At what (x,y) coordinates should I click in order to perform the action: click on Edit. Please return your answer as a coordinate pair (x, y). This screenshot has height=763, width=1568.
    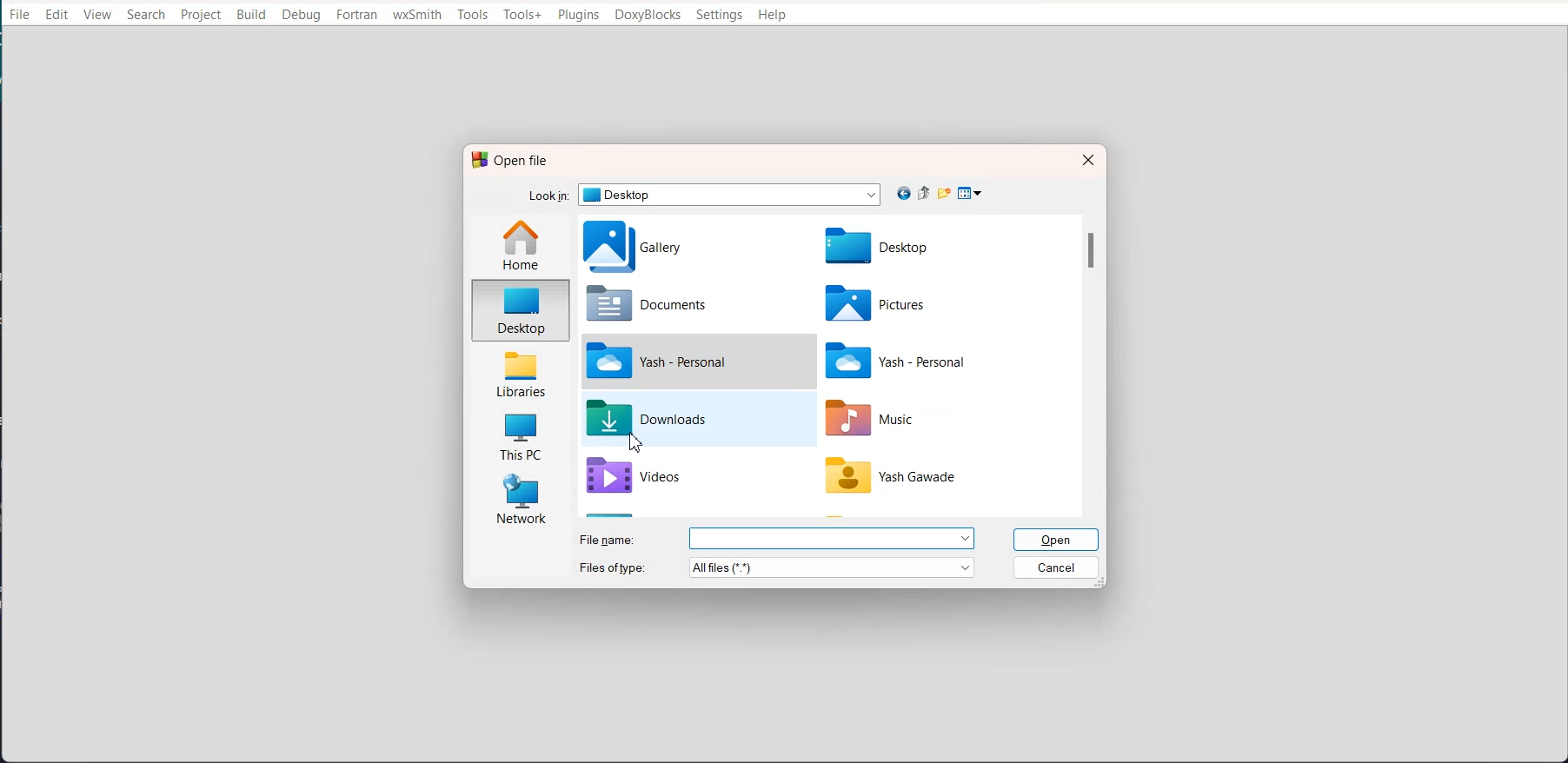
    Looking at the image, I should click on (57, 15).